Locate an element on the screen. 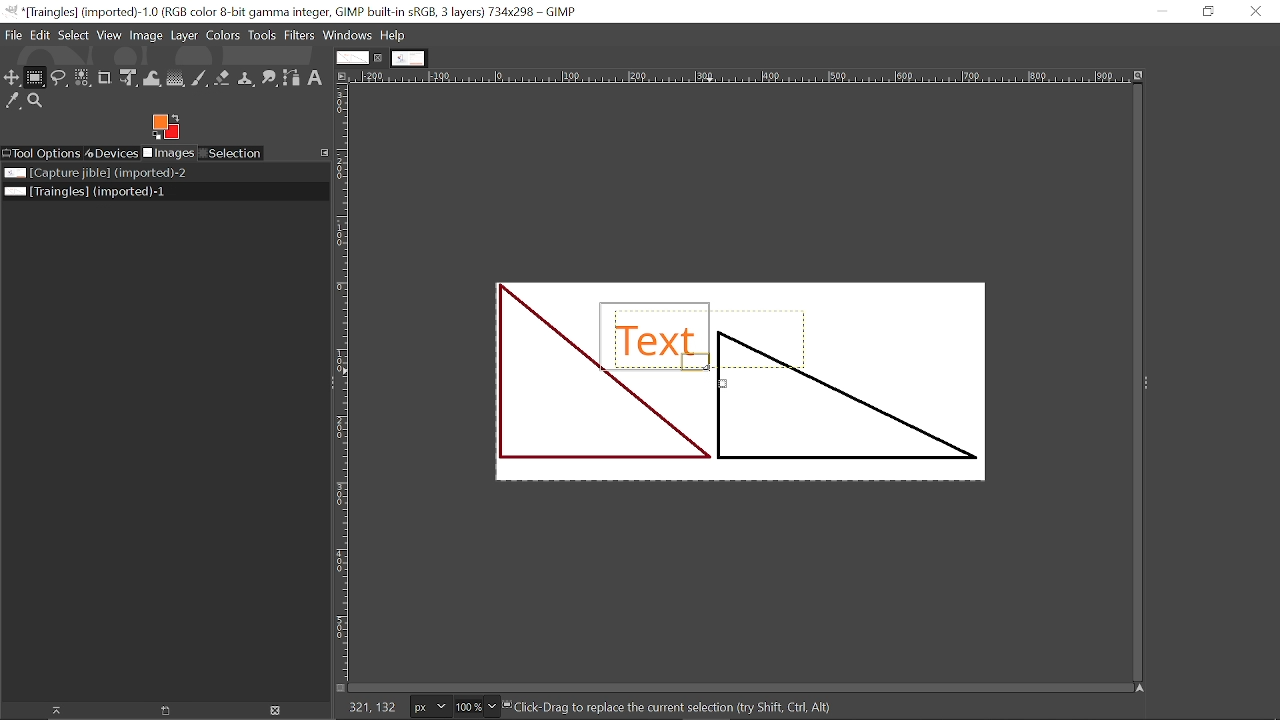 This screenshot has height=720, width=1280. Current window is located at coordinates (294, 12).